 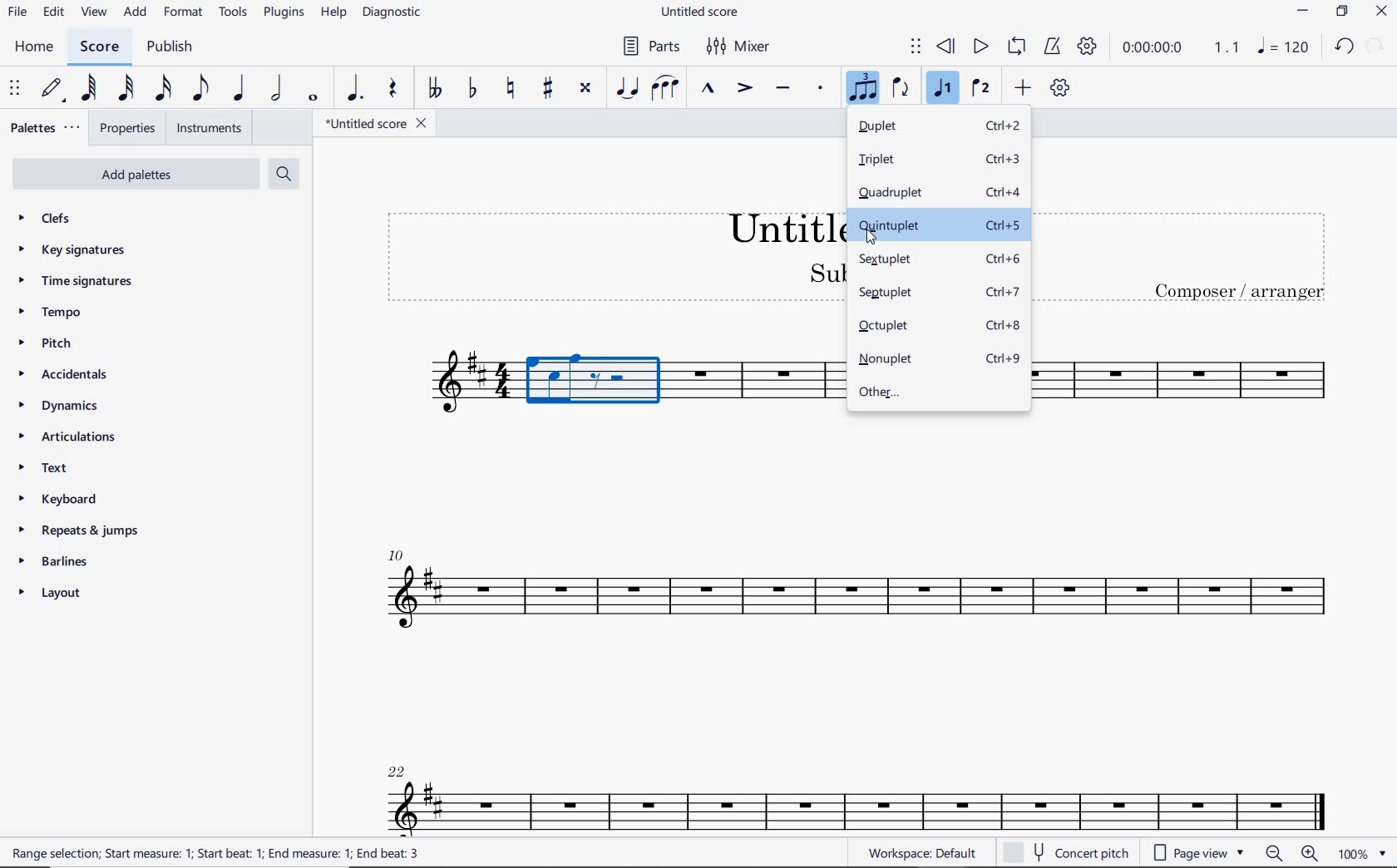 What do you see at coordinates (435, 86) in the screenshot?
I see `TOGGLE-DOUBLE FLAT` at bounding box center [435, 86].